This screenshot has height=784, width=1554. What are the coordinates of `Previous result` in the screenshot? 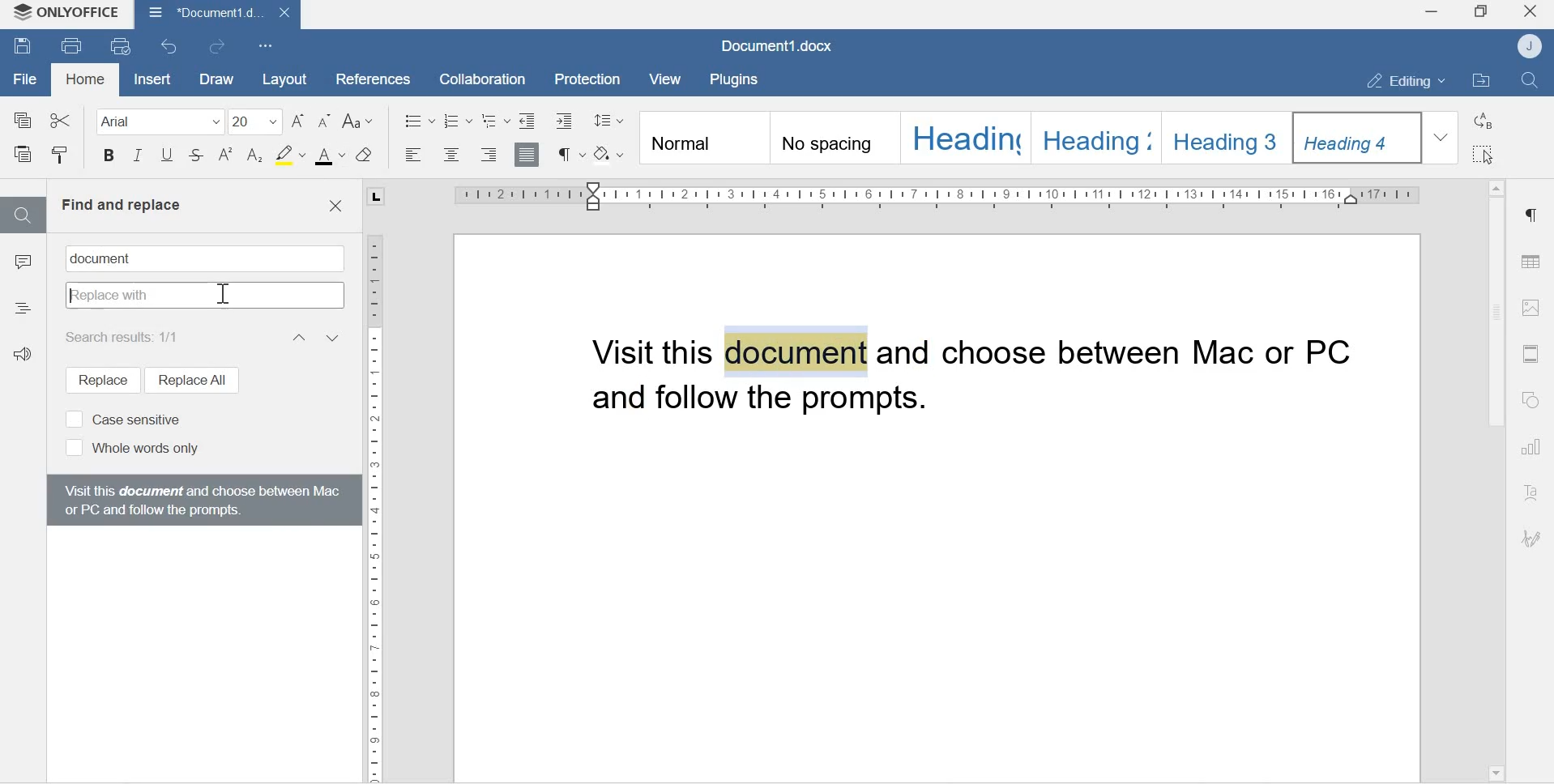 It's located at (297, 337).